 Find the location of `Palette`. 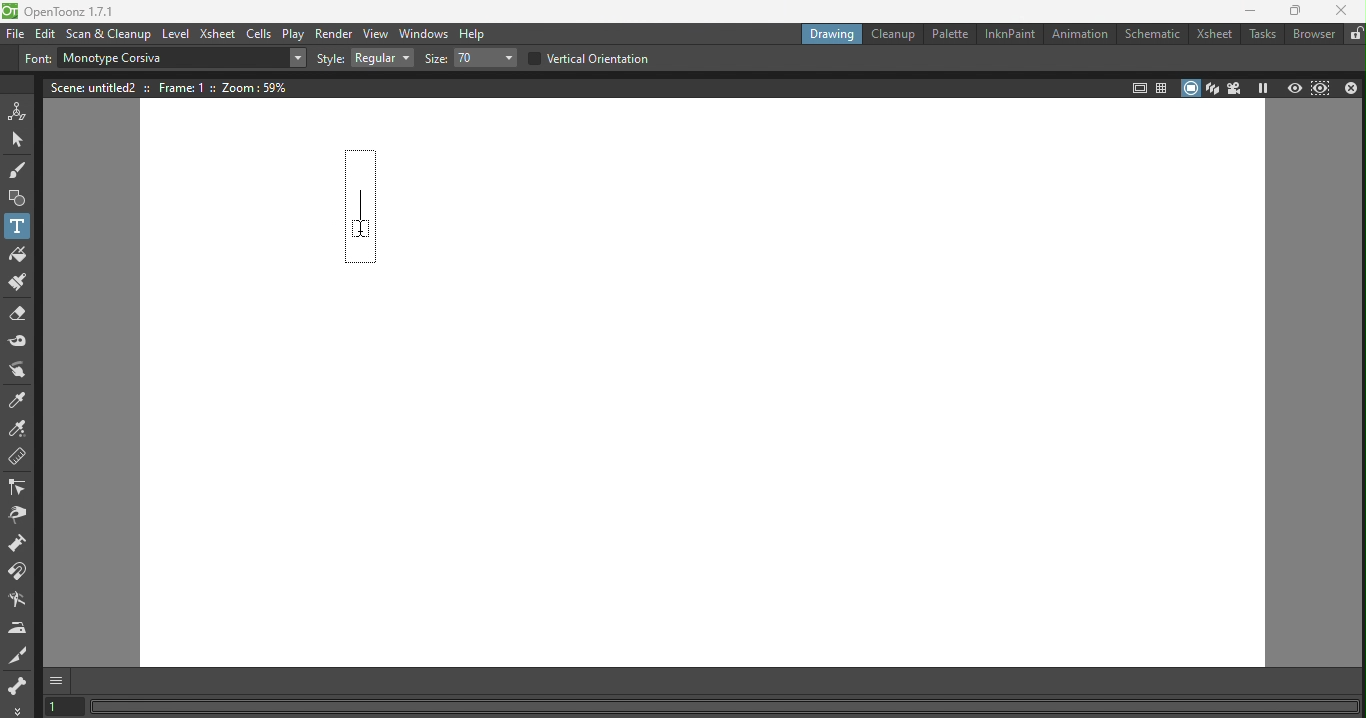

Palette is located at coordinates (949, 35).